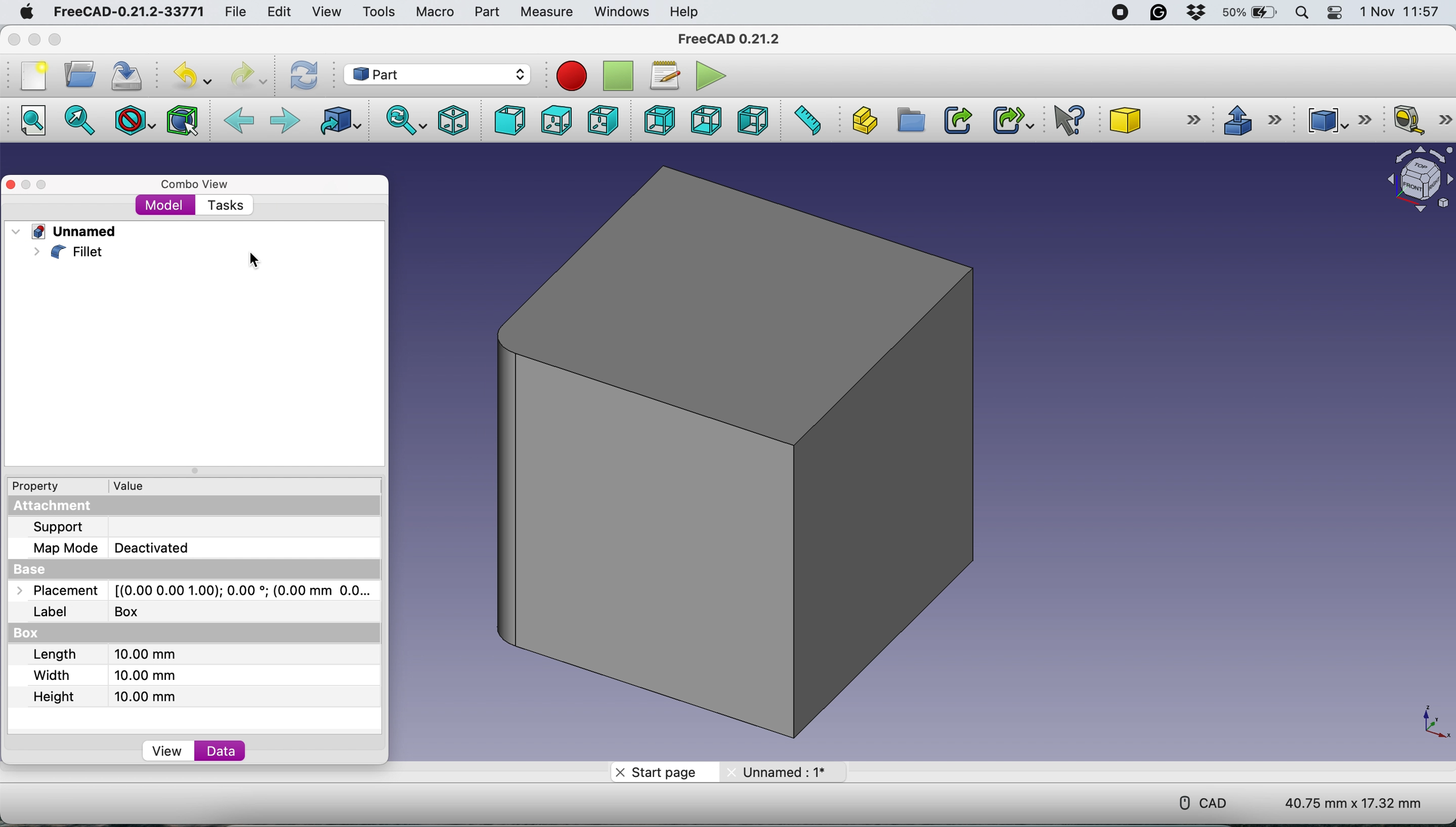 The height and width of the screenshot is (827, 1456). I want to click on make link, so click(956, 119).